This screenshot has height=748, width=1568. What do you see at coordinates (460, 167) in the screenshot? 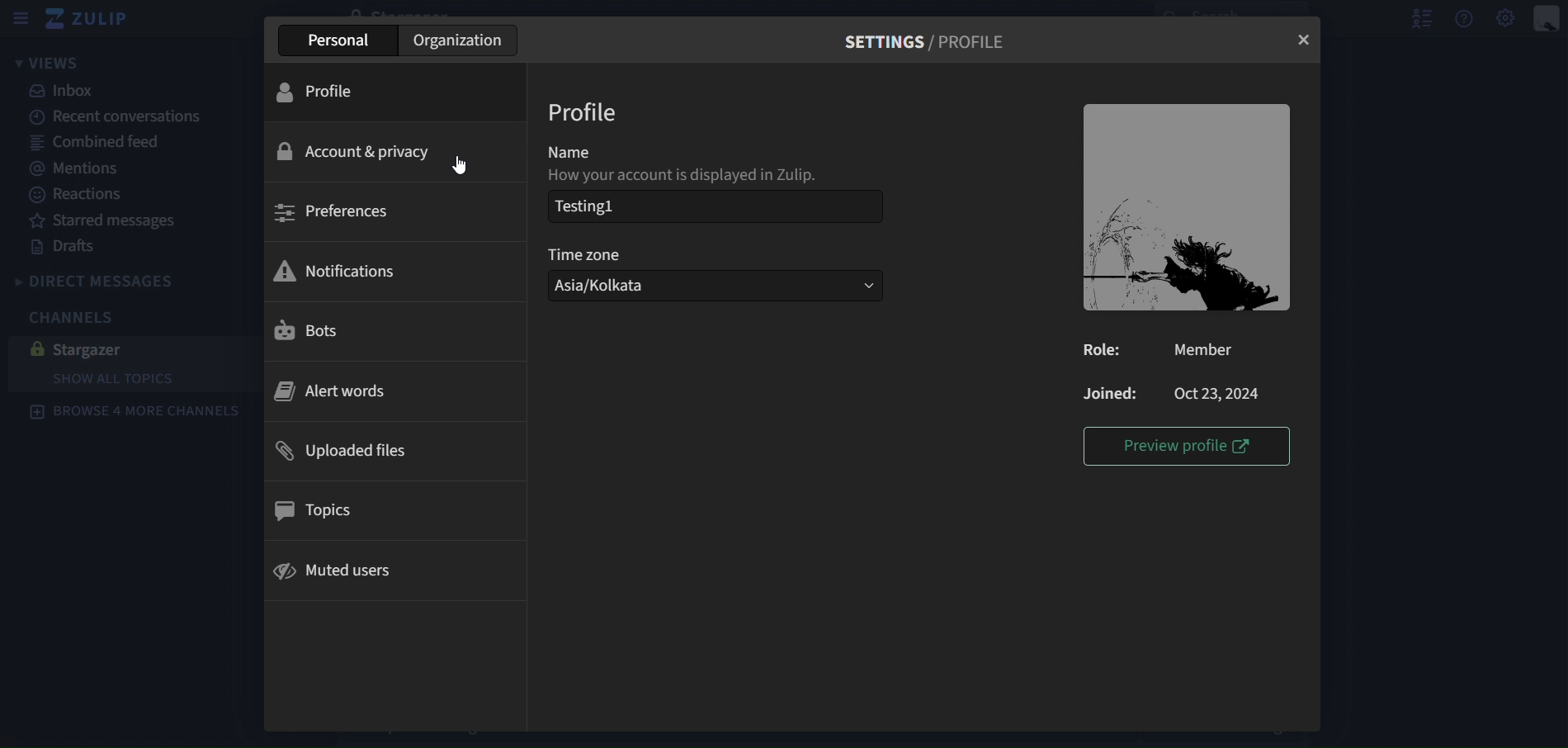
I see `cursor` at bounding box center [460, 167].